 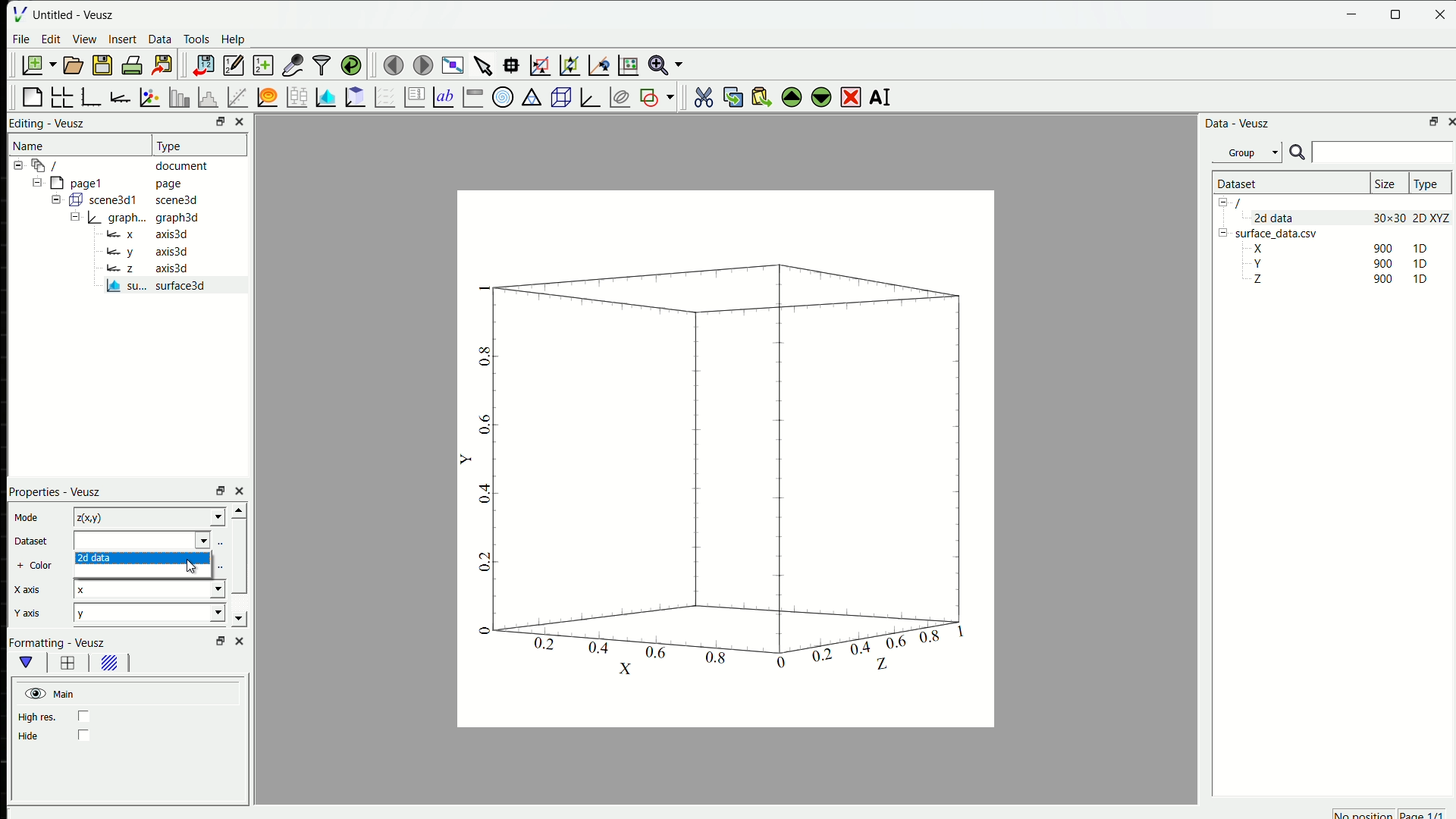 What do you see at coordinates (322, 65) in the screenshot?
I see `filter data` at bounding box center [322, 65].